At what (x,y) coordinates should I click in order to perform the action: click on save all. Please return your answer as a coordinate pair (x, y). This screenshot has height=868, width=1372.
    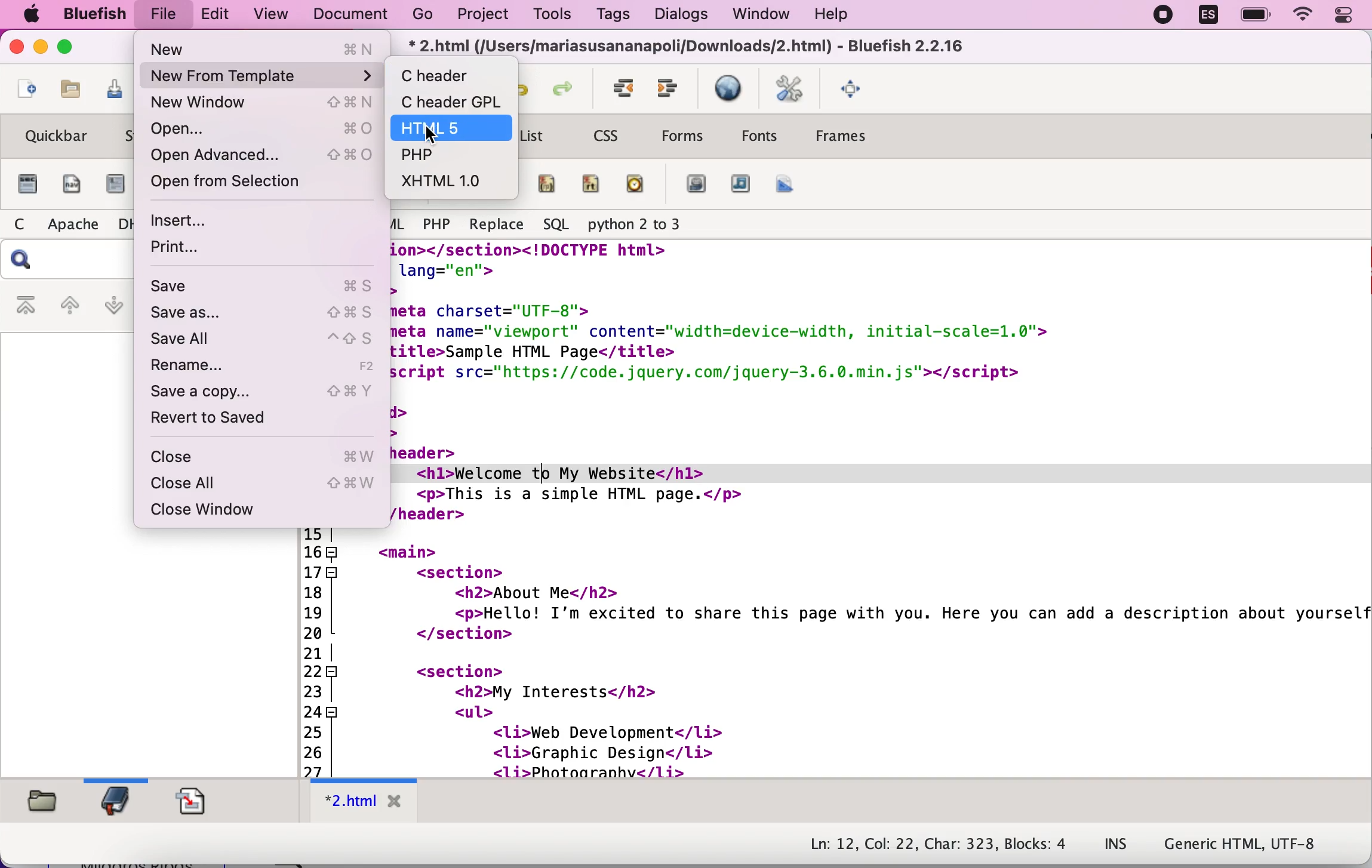
    Looking at the image, I should click on (267, 340).